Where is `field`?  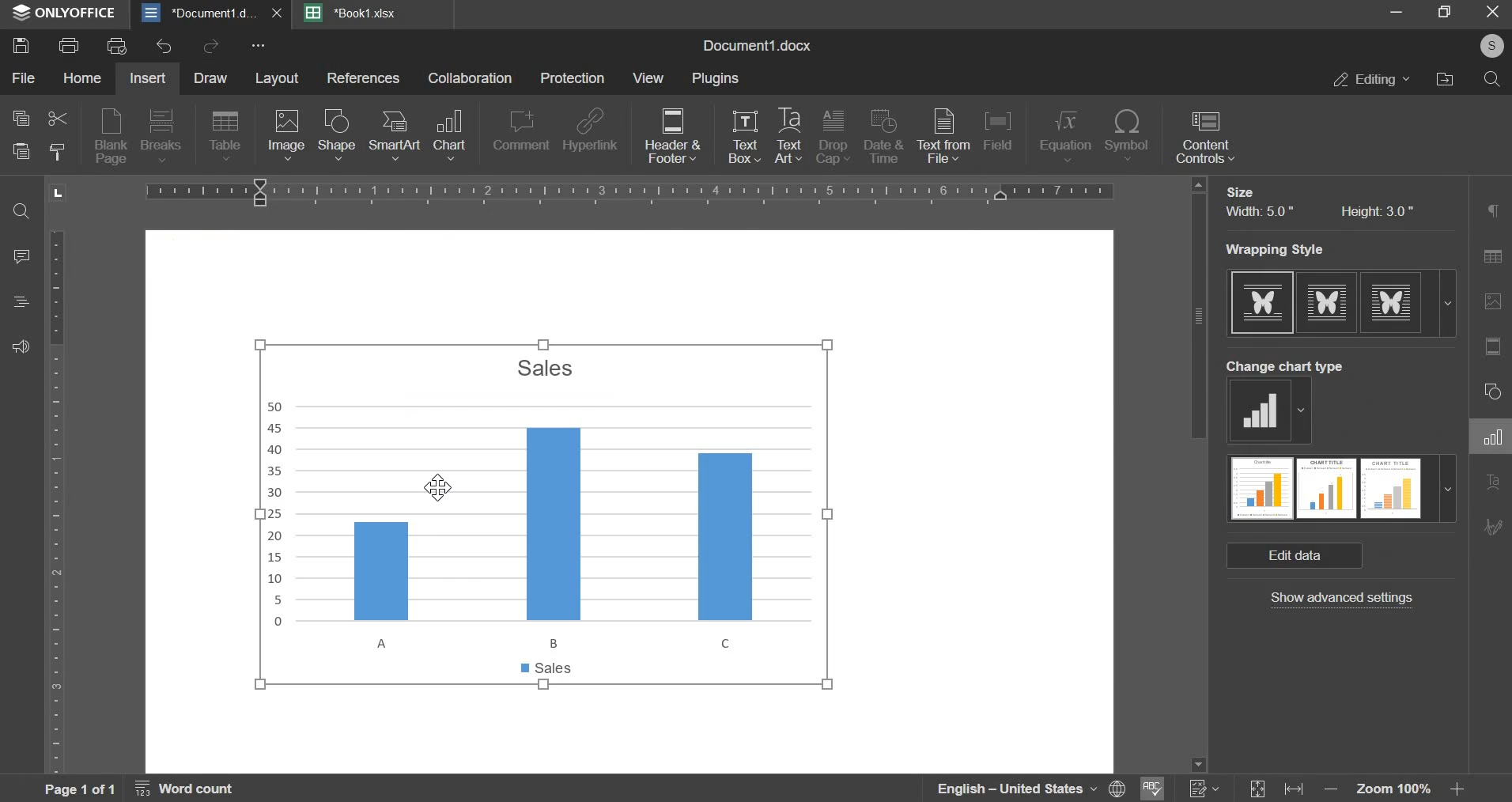 field is located at coordinates (1003, 136).